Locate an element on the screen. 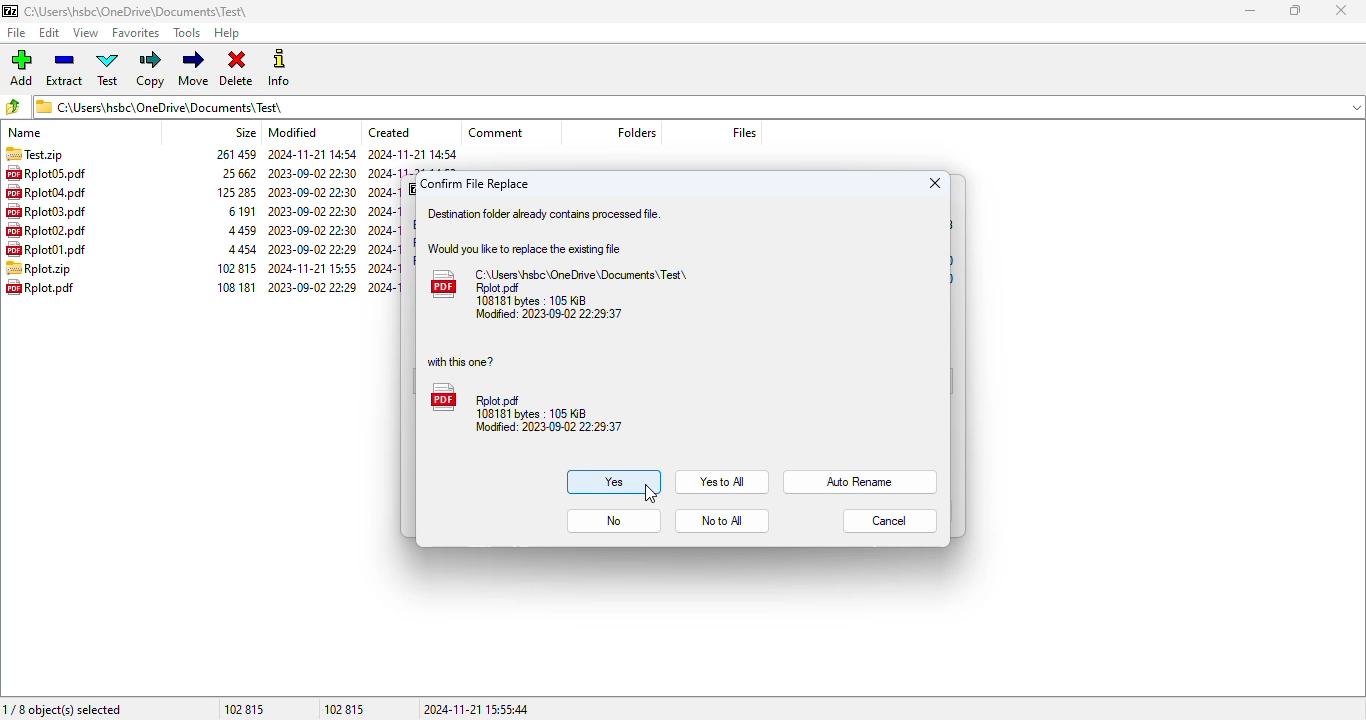 This screenshot has height=720, width=1366. yes is located at coordinates (613, 482).